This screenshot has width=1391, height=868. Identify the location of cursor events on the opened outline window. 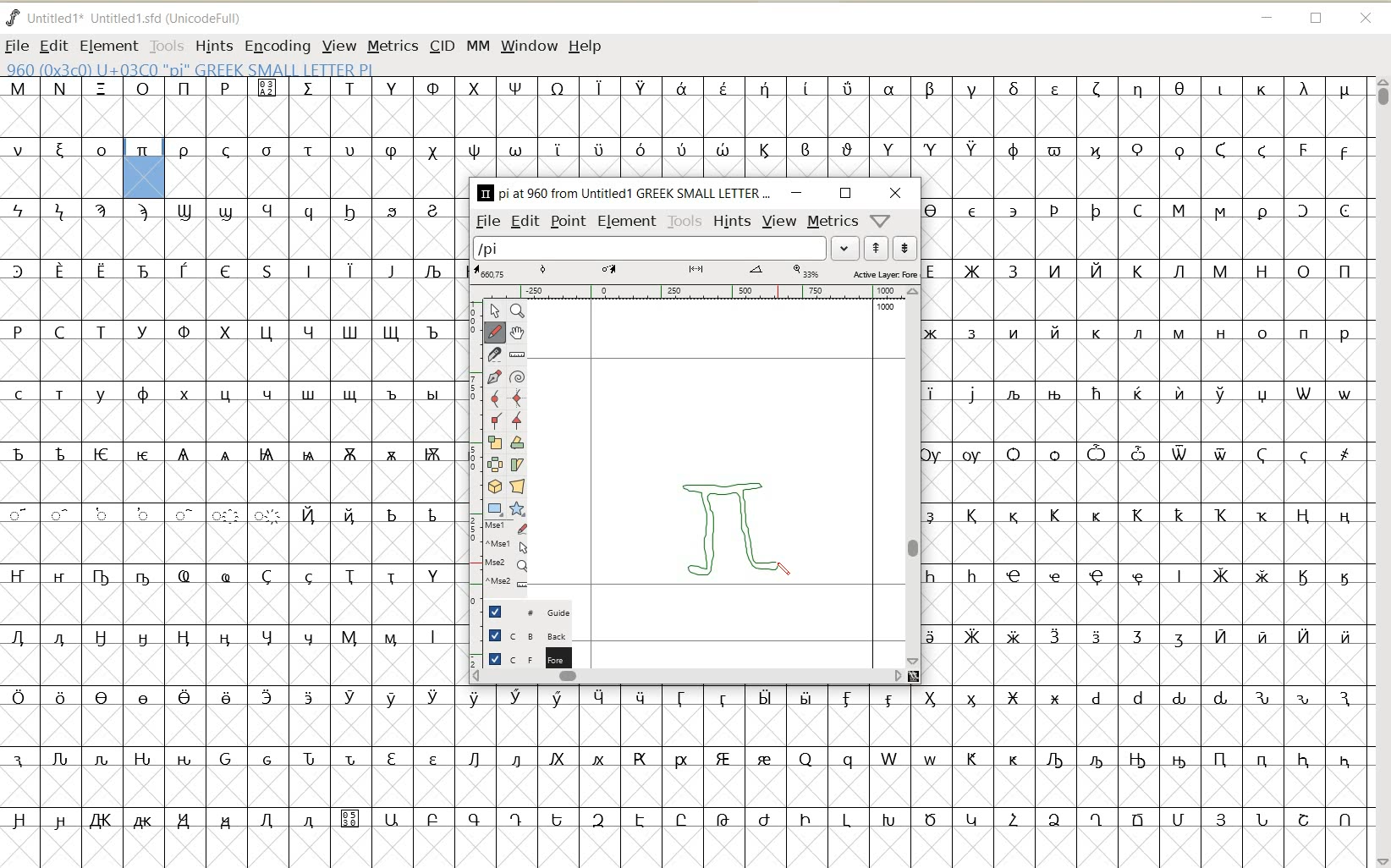
(499, 555).